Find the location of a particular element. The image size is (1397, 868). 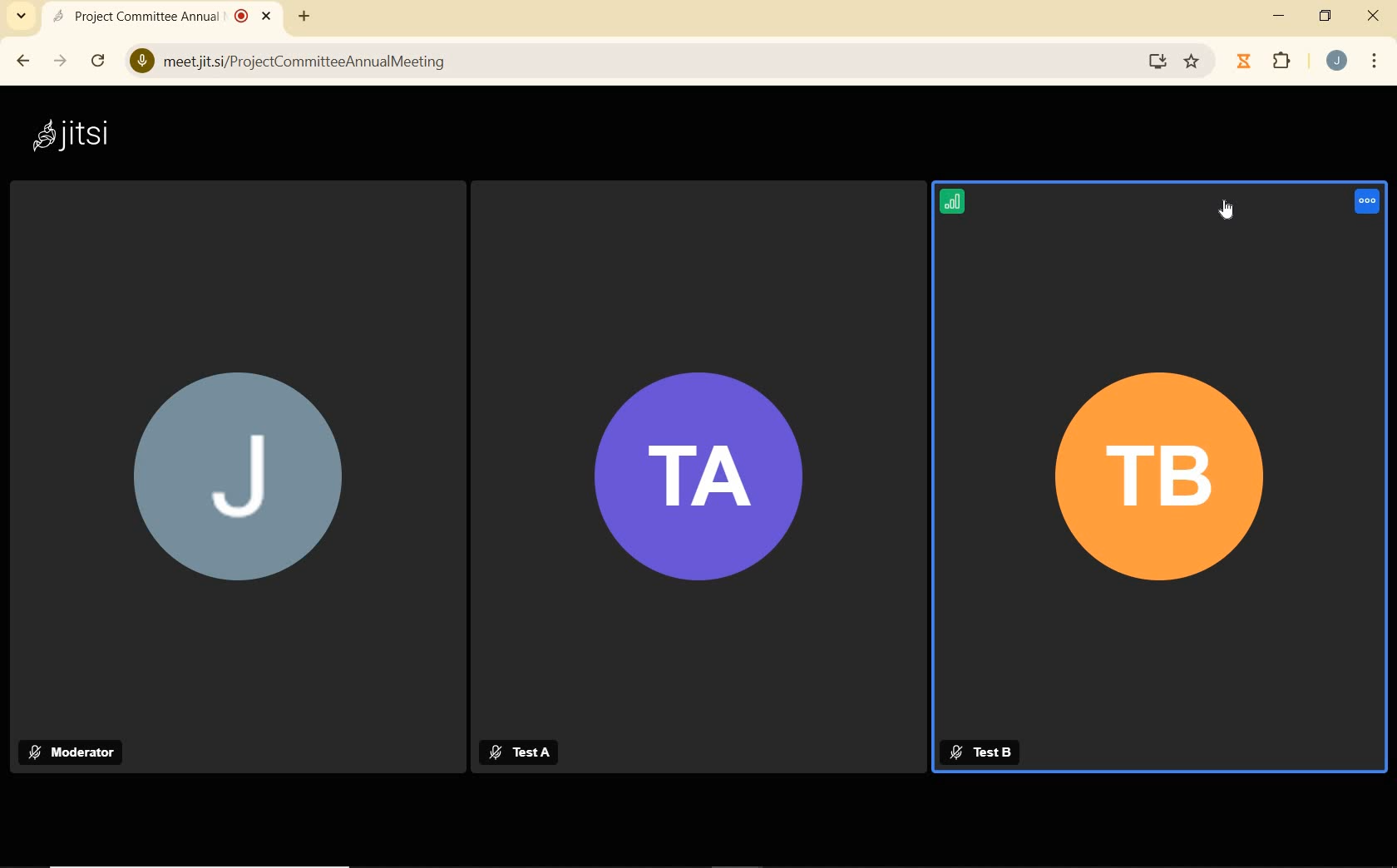

SEARCH TAB is located at coordinates (22, 18).